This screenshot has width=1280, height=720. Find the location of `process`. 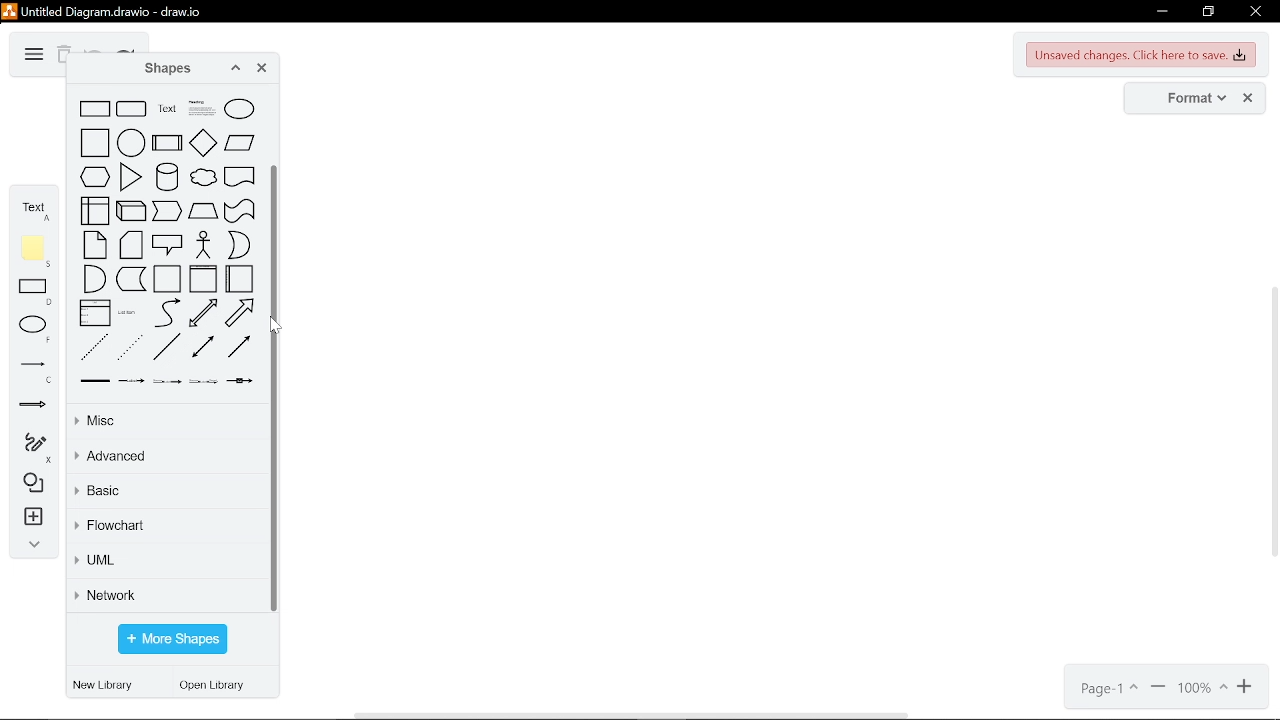

process is located at coordinates (167, 142).